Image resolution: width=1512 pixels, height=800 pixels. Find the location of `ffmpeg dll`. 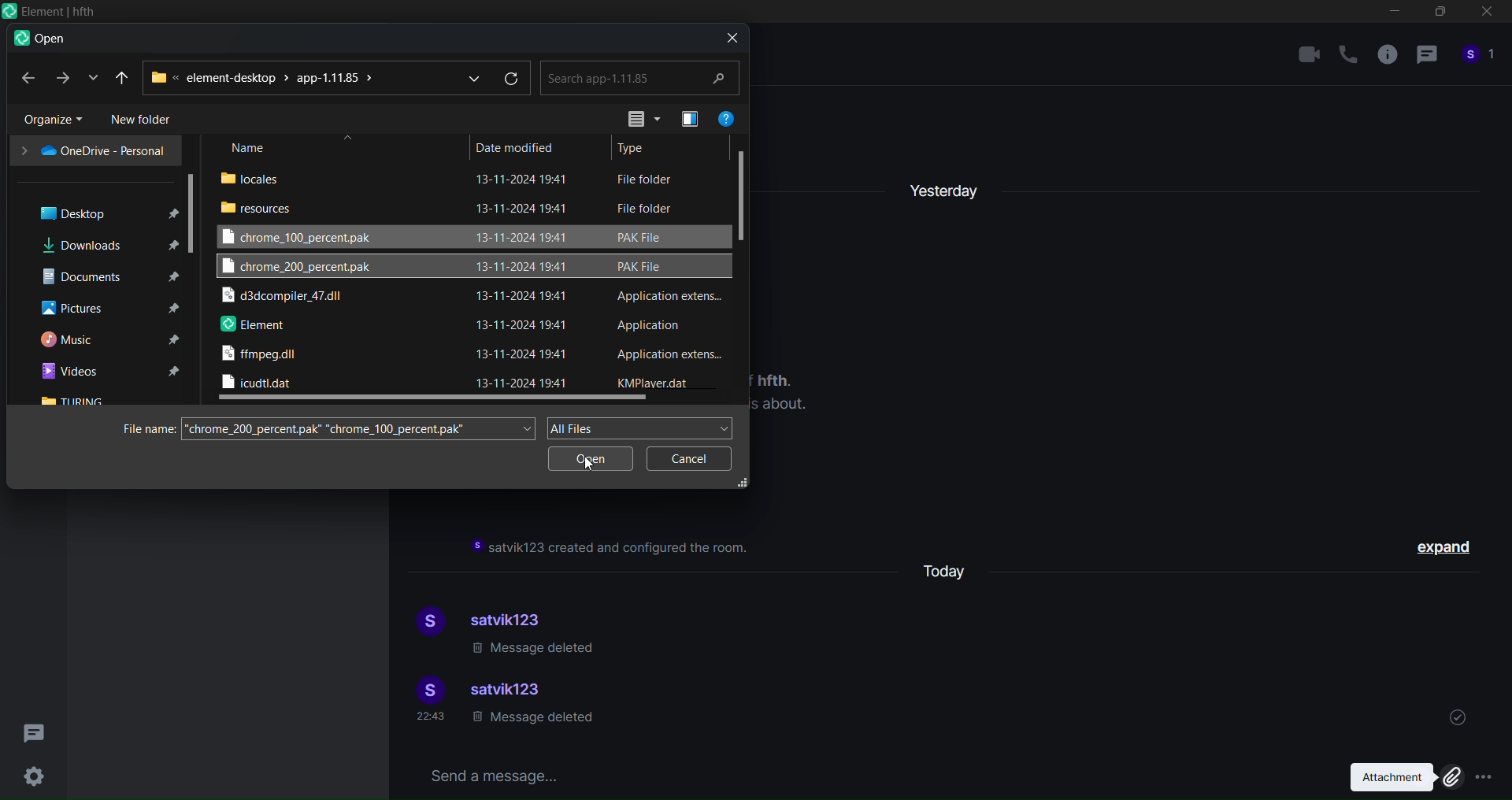

ffmpeg dll is located at coordinates (262, 357).